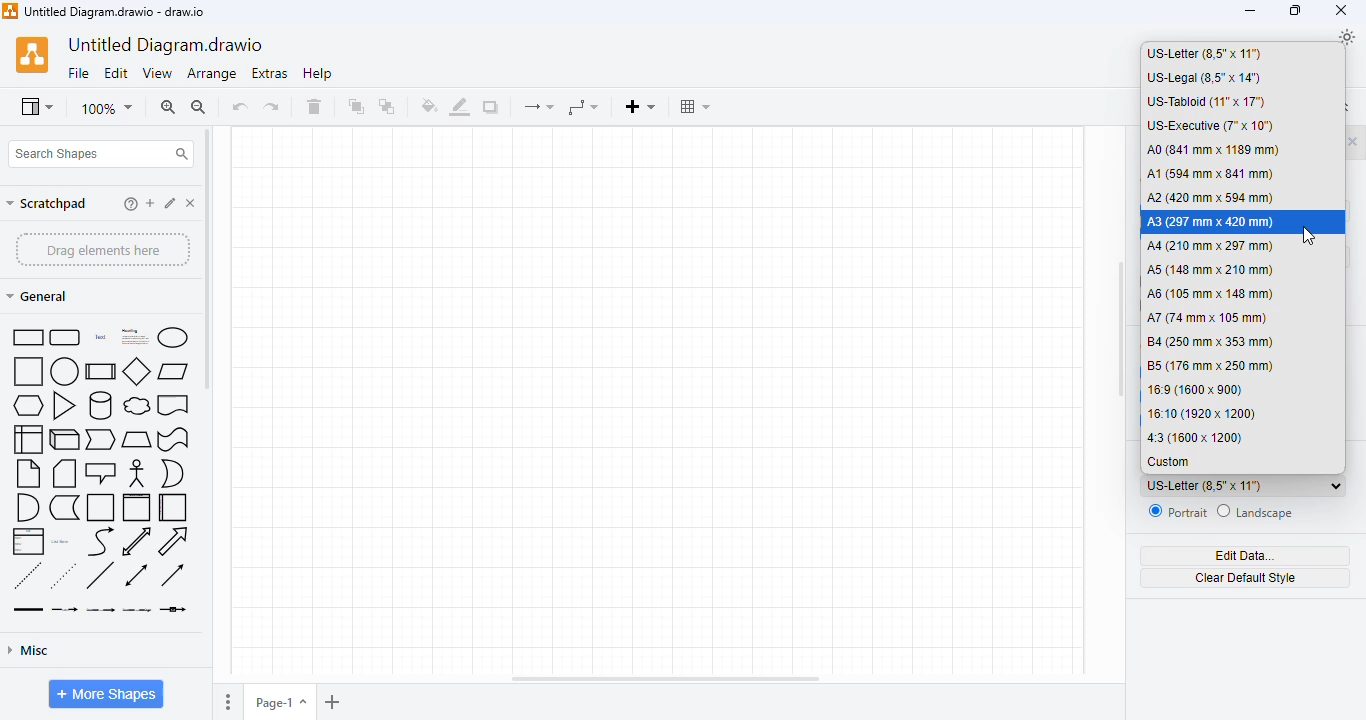  What do you see at coordinates (150, 203) in the screenshot?
I see `add` at bounding box center [150, 203].